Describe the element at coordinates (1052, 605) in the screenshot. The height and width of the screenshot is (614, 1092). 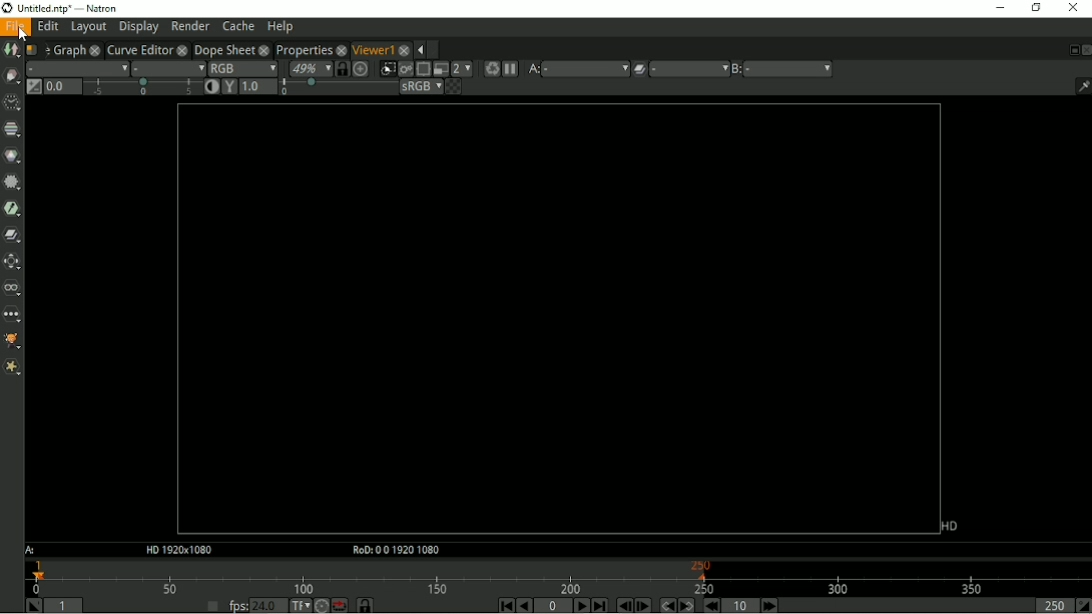
I see `Playback out point` at that location.